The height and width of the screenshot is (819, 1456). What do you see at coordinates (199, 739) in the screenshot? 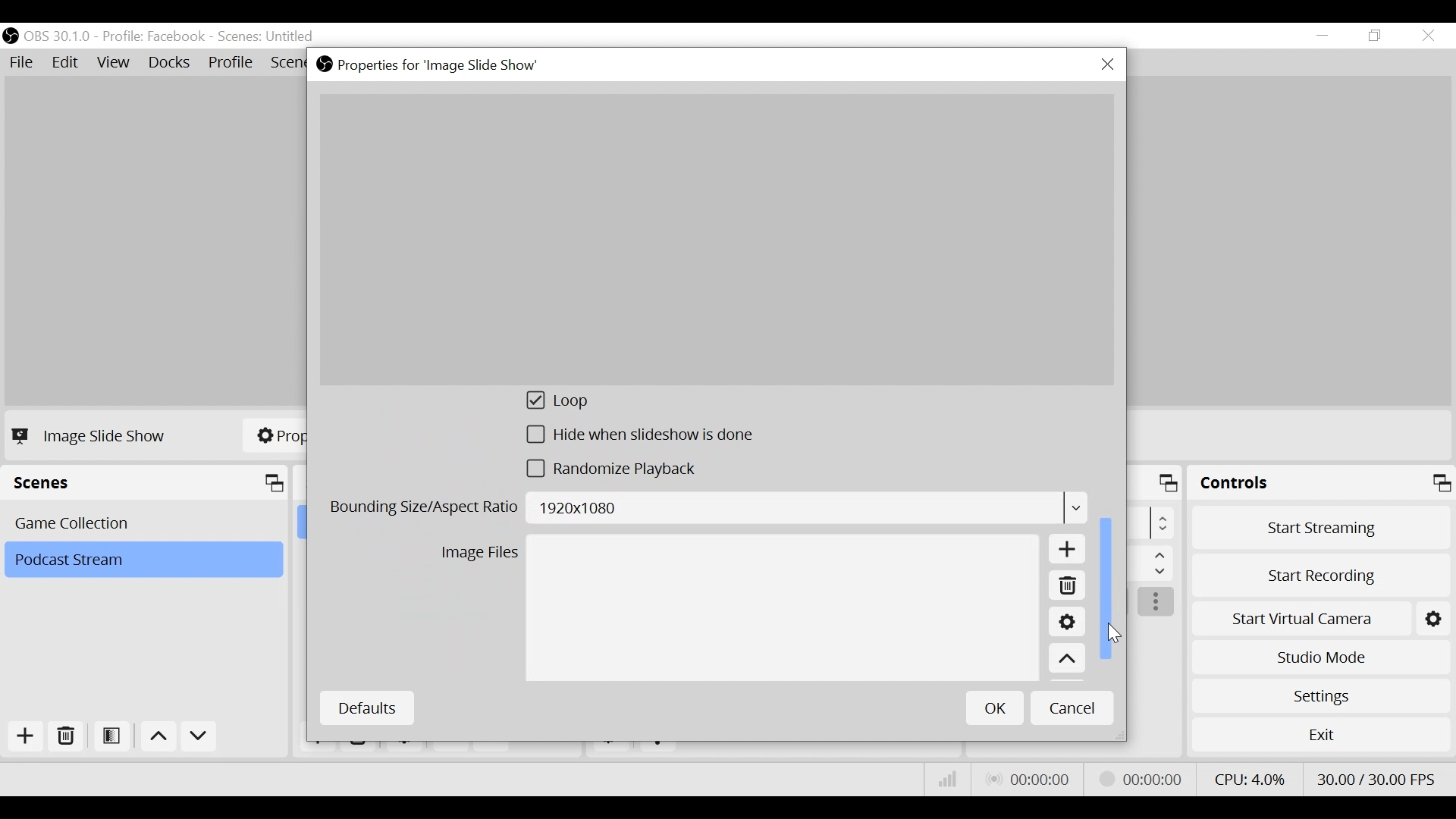
I see `Move Down` at bounding box center [199, 739].